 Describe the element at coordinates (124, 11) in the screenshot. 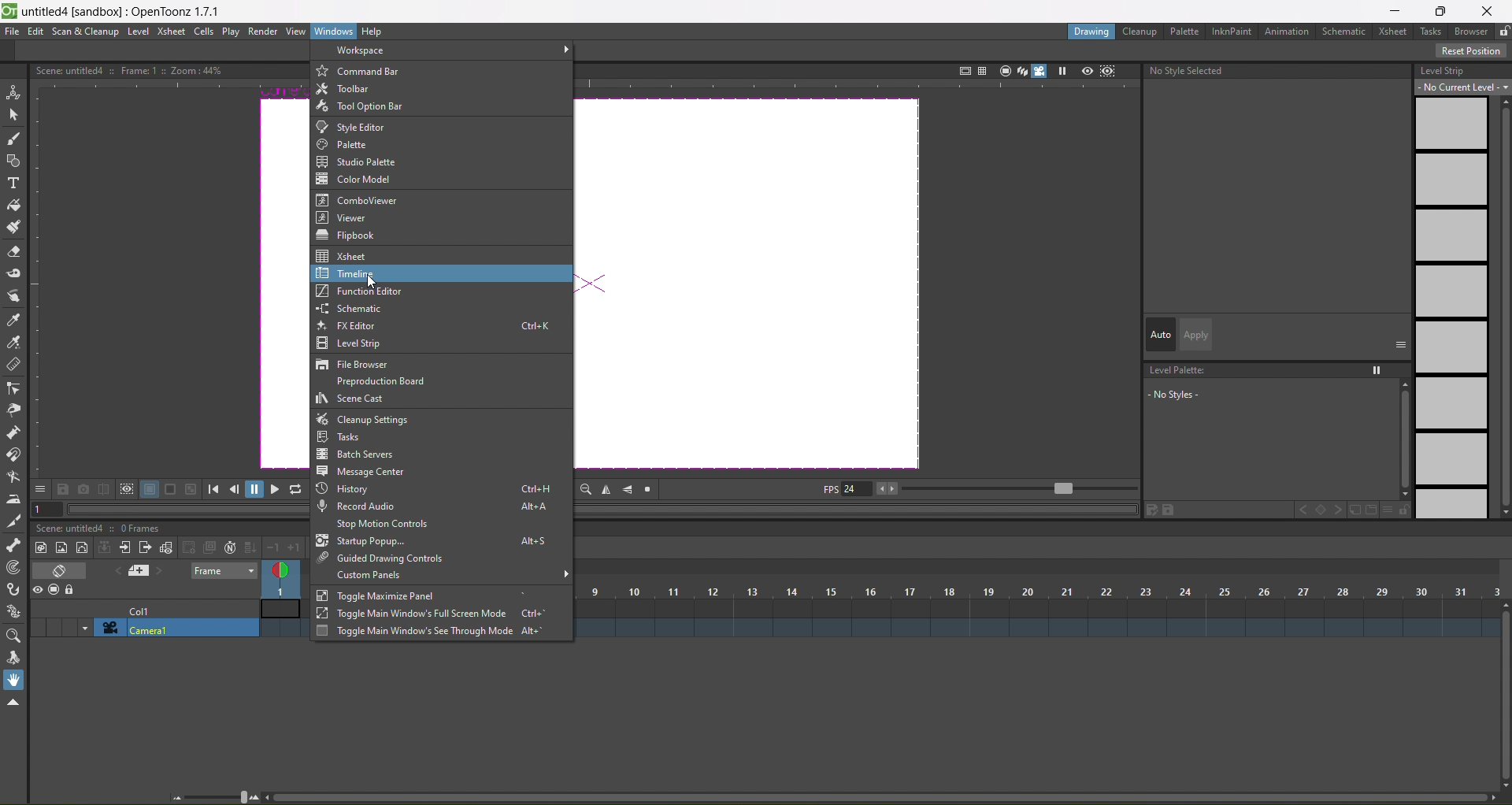

I see `untitledd [sandbox] :OpenToonz 1.7.1` at that location.